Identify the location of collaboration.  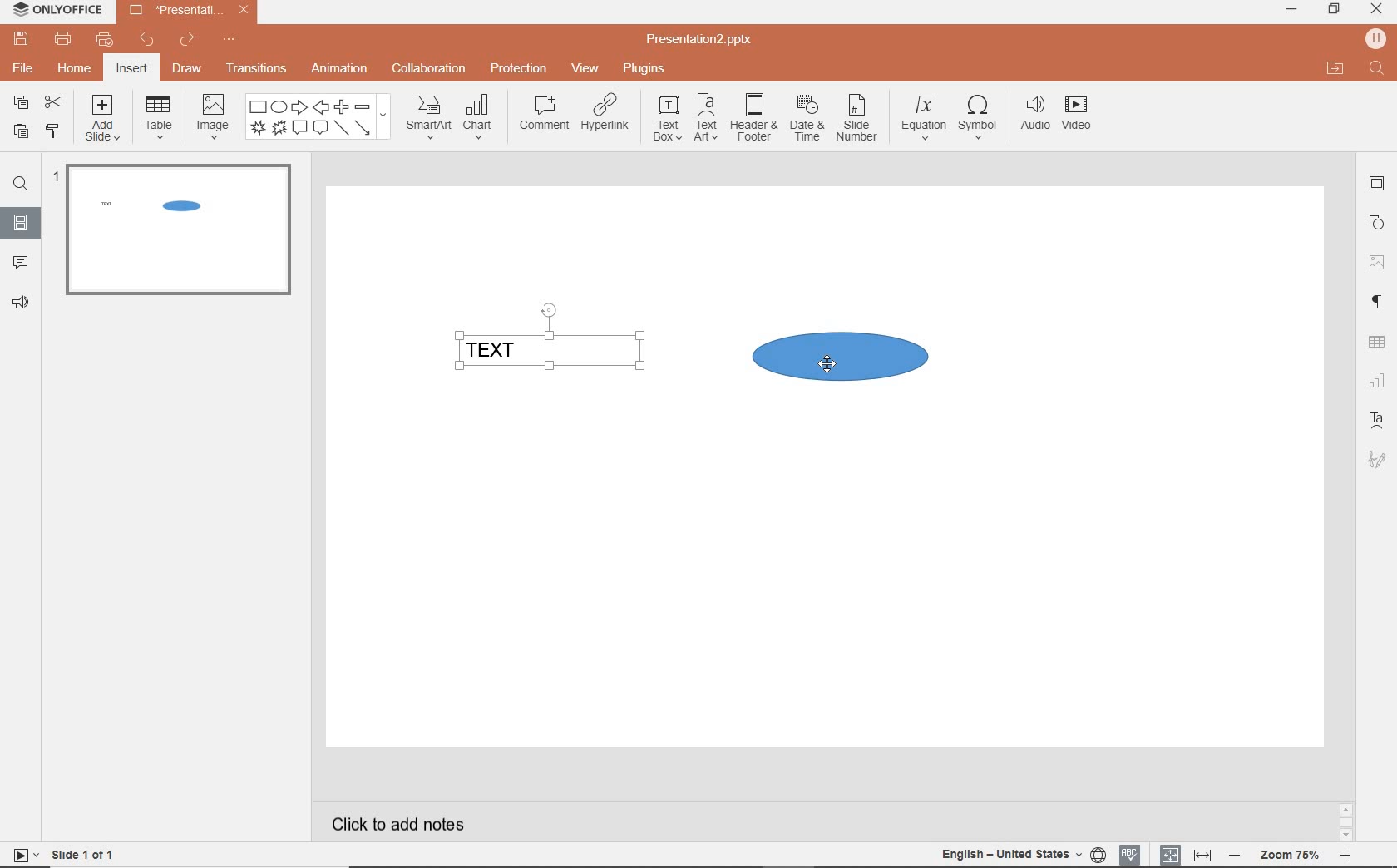
(427, 70).